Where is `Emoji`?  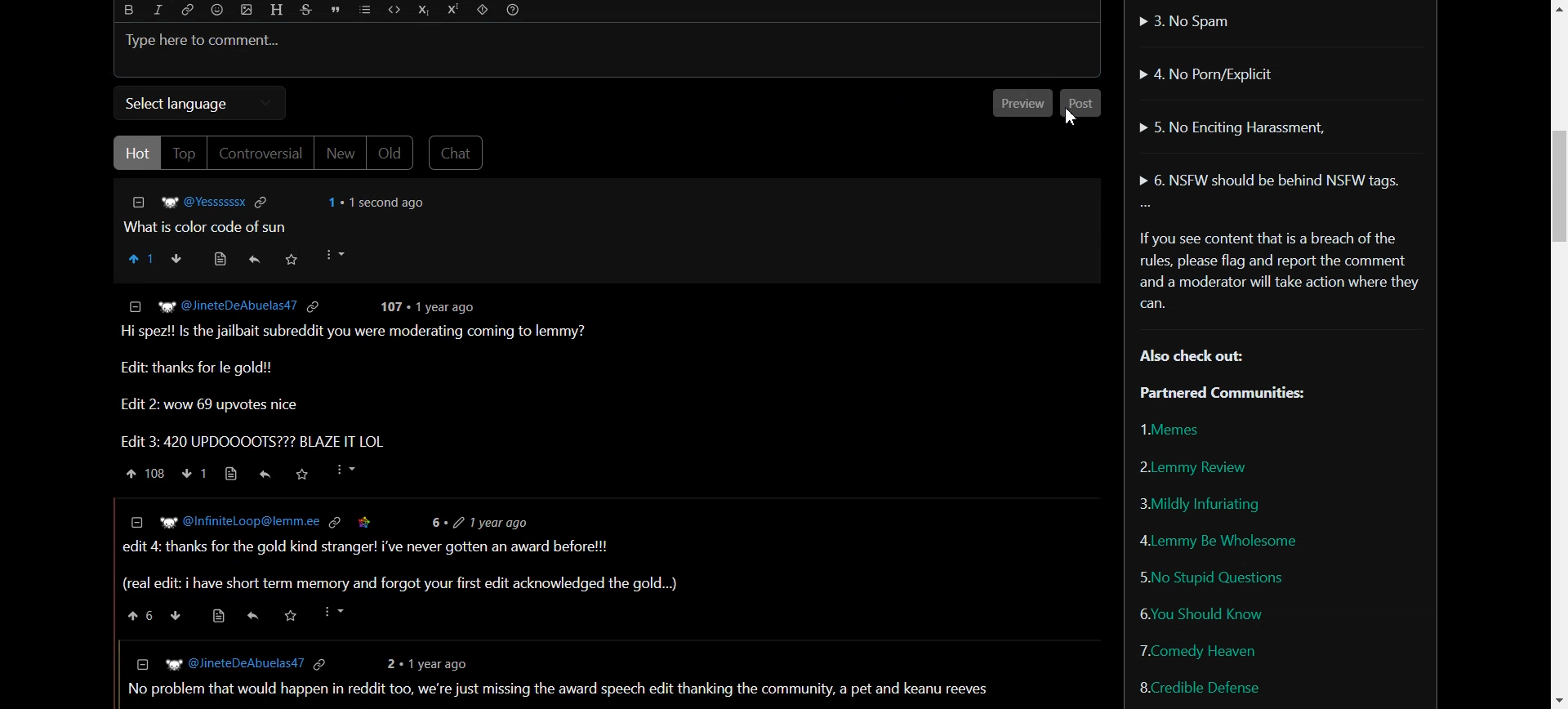 Emoji is located at coordinates (217, 10).